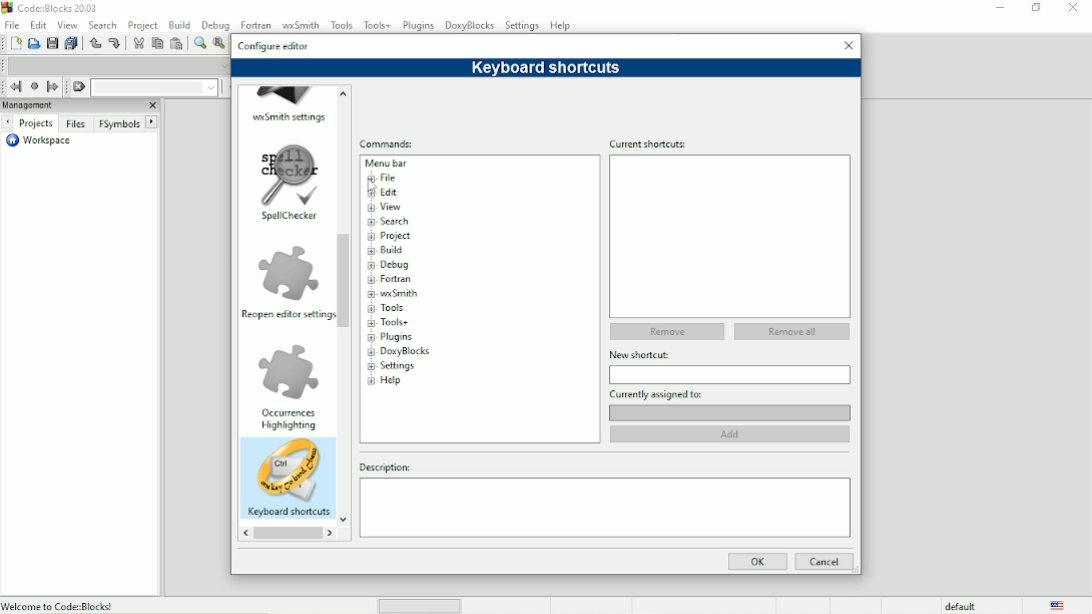  What do you see at coordinates (59, 605) in the screenshot?
I see `Welcome to Code:Blocks ` at bounding box center [59, 605].